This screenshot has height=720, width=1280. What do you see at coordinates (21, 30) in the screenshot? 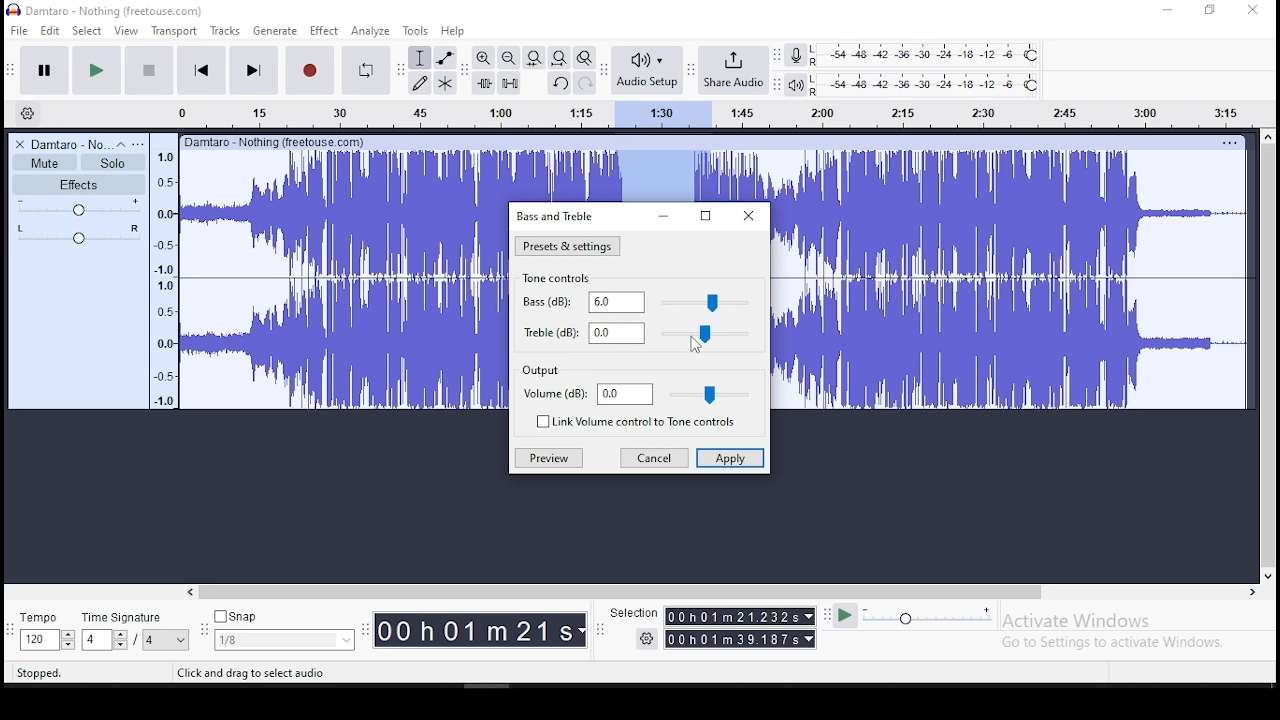
I see `file` at bounding box center [21, 30].